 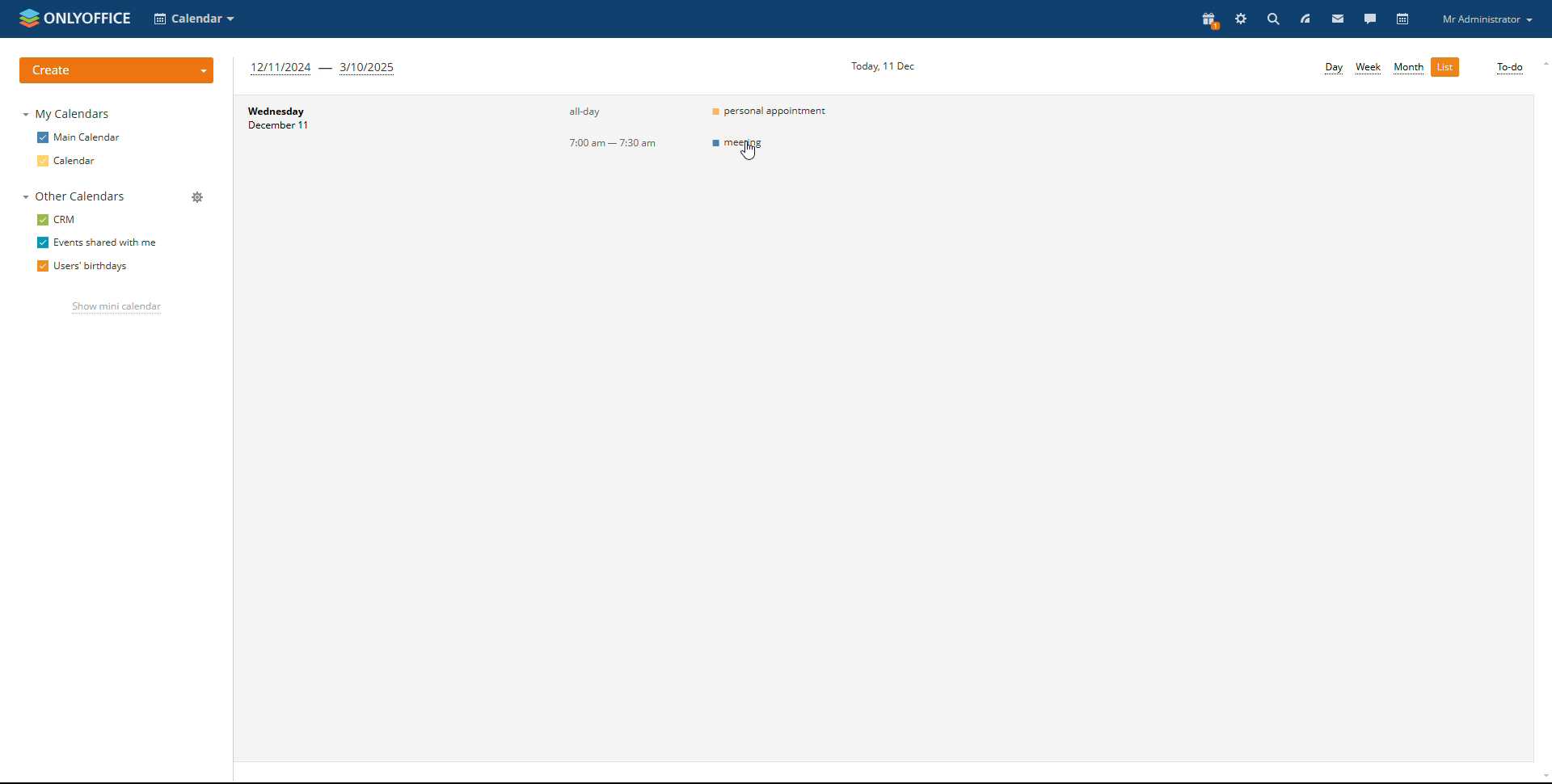 What do you see at coordinates (770, 111) in the screenshot?
I see `events` at bounding box center [770, 111].